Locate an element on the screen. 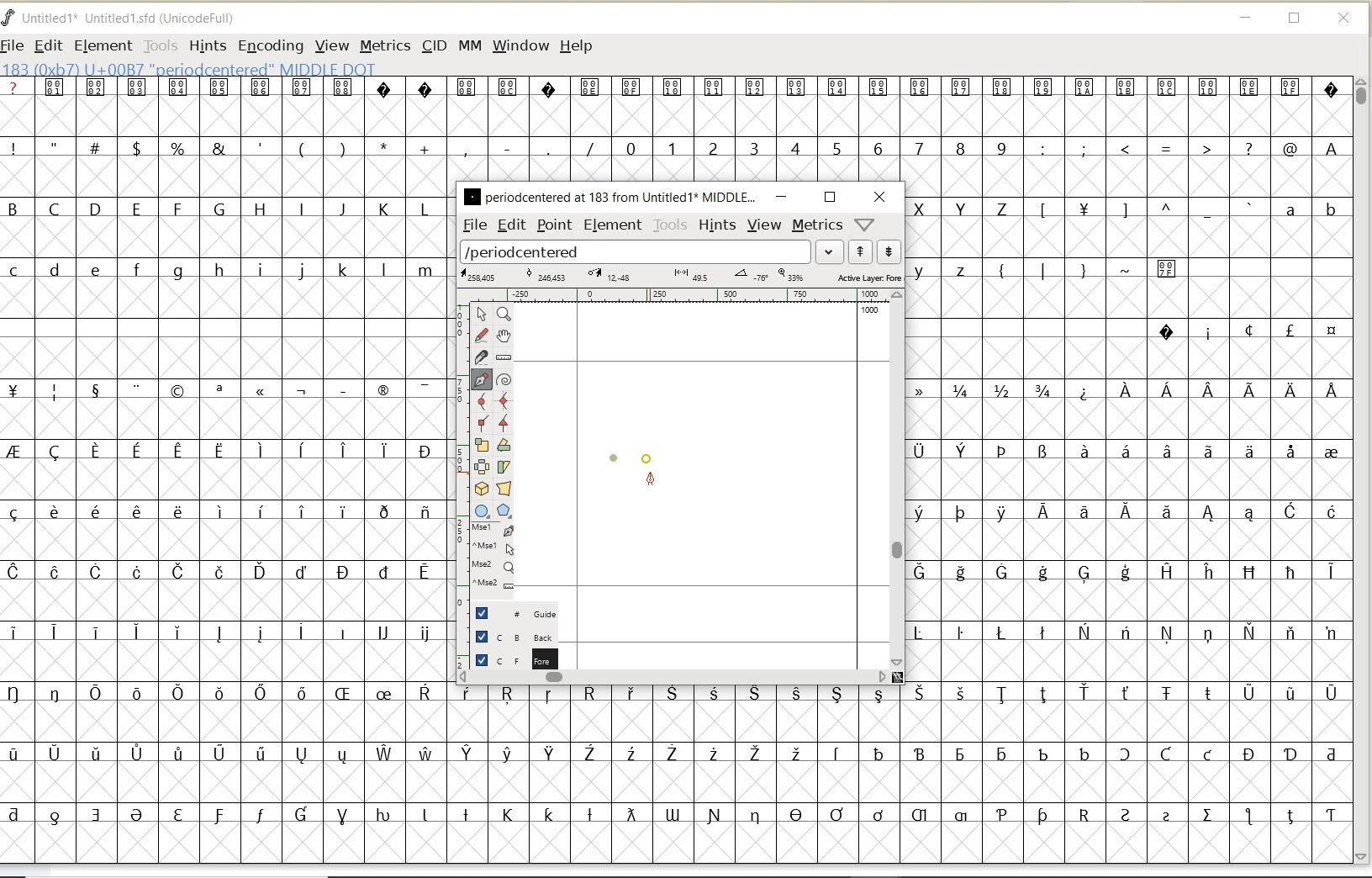  guide is located at coordinates (510, 614).